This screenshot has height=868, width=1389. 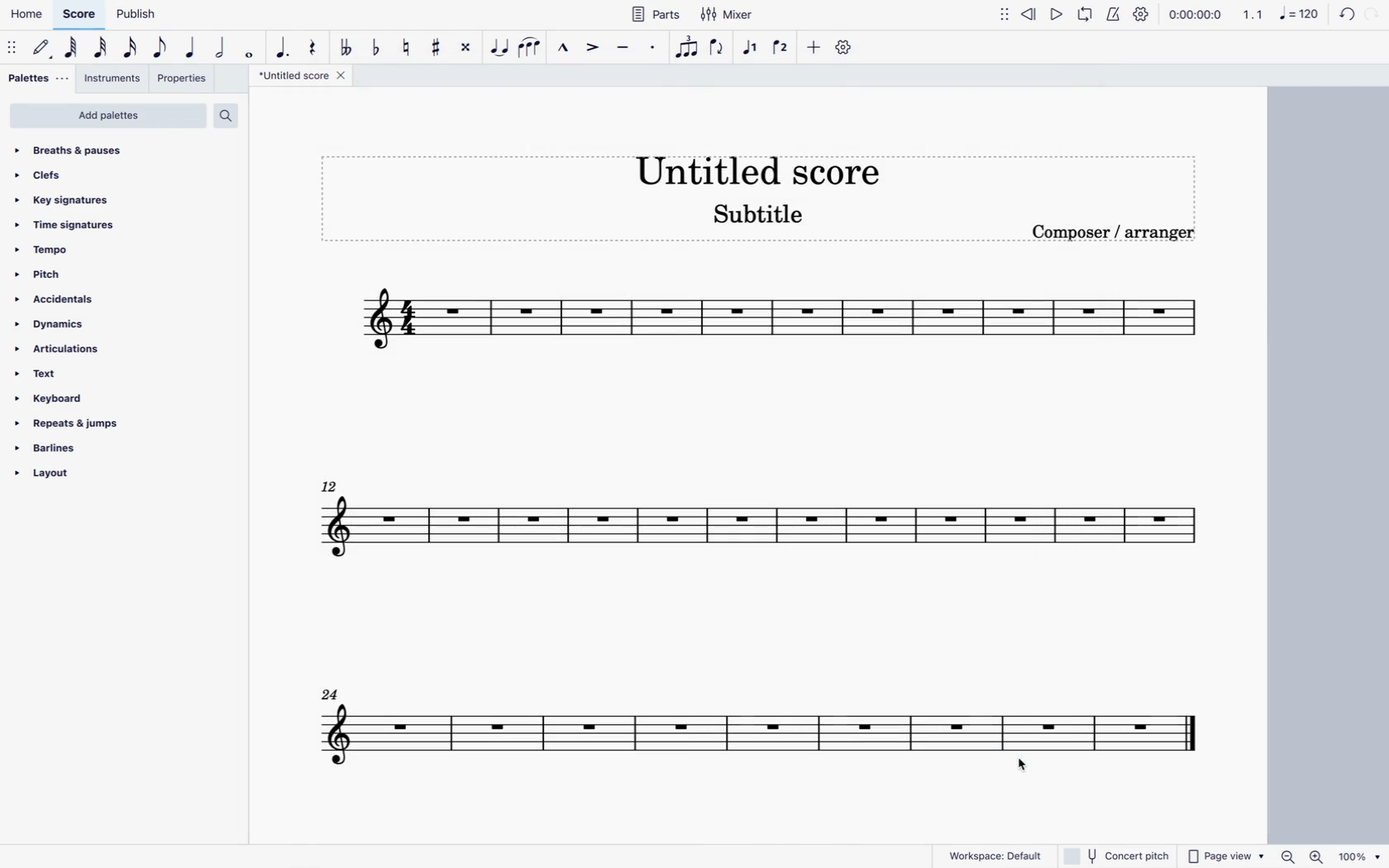 I want to click on score, so click(x=738, y=726).